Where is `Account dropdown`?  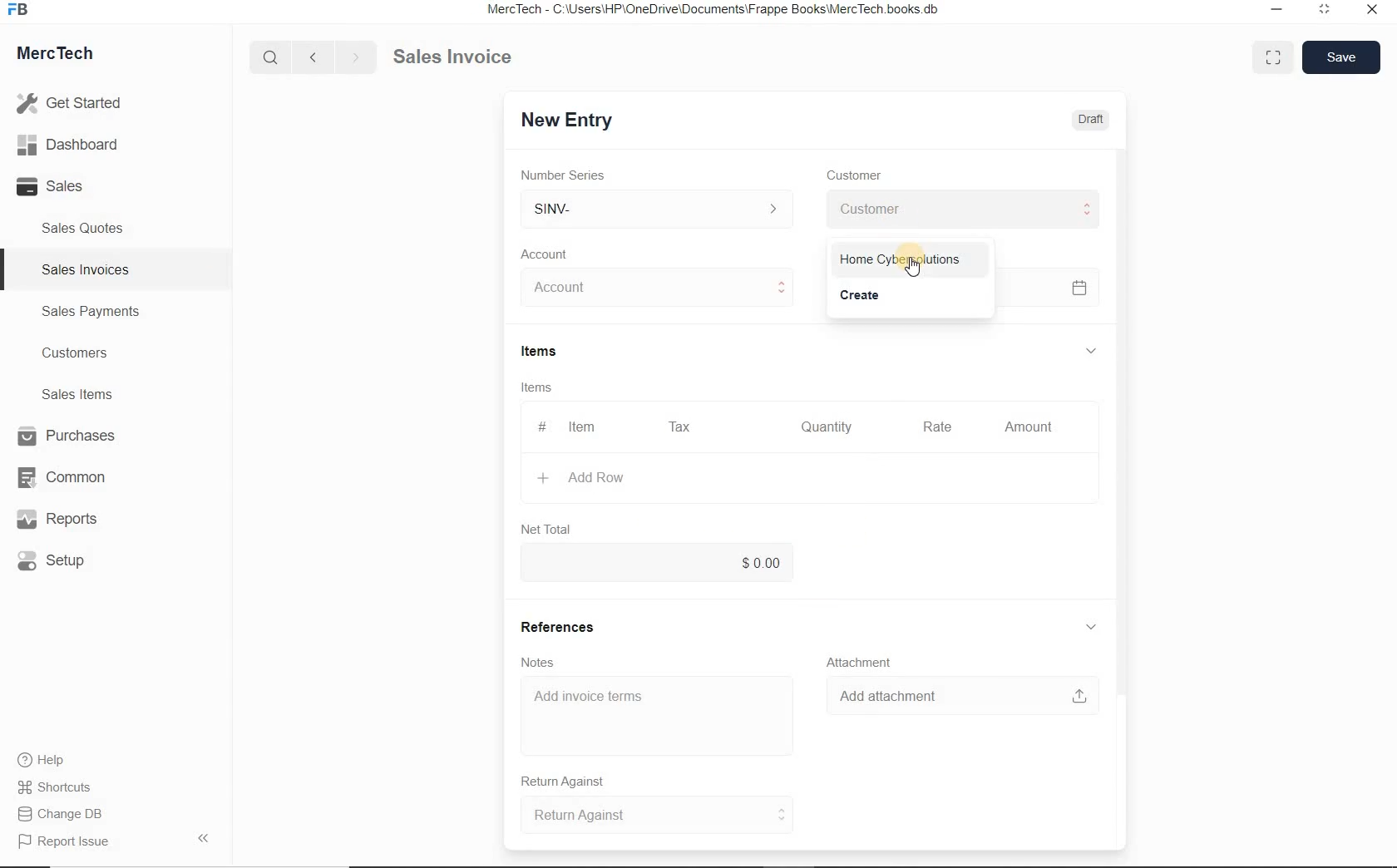 Account dropdown is located at coordinates (659, 289).